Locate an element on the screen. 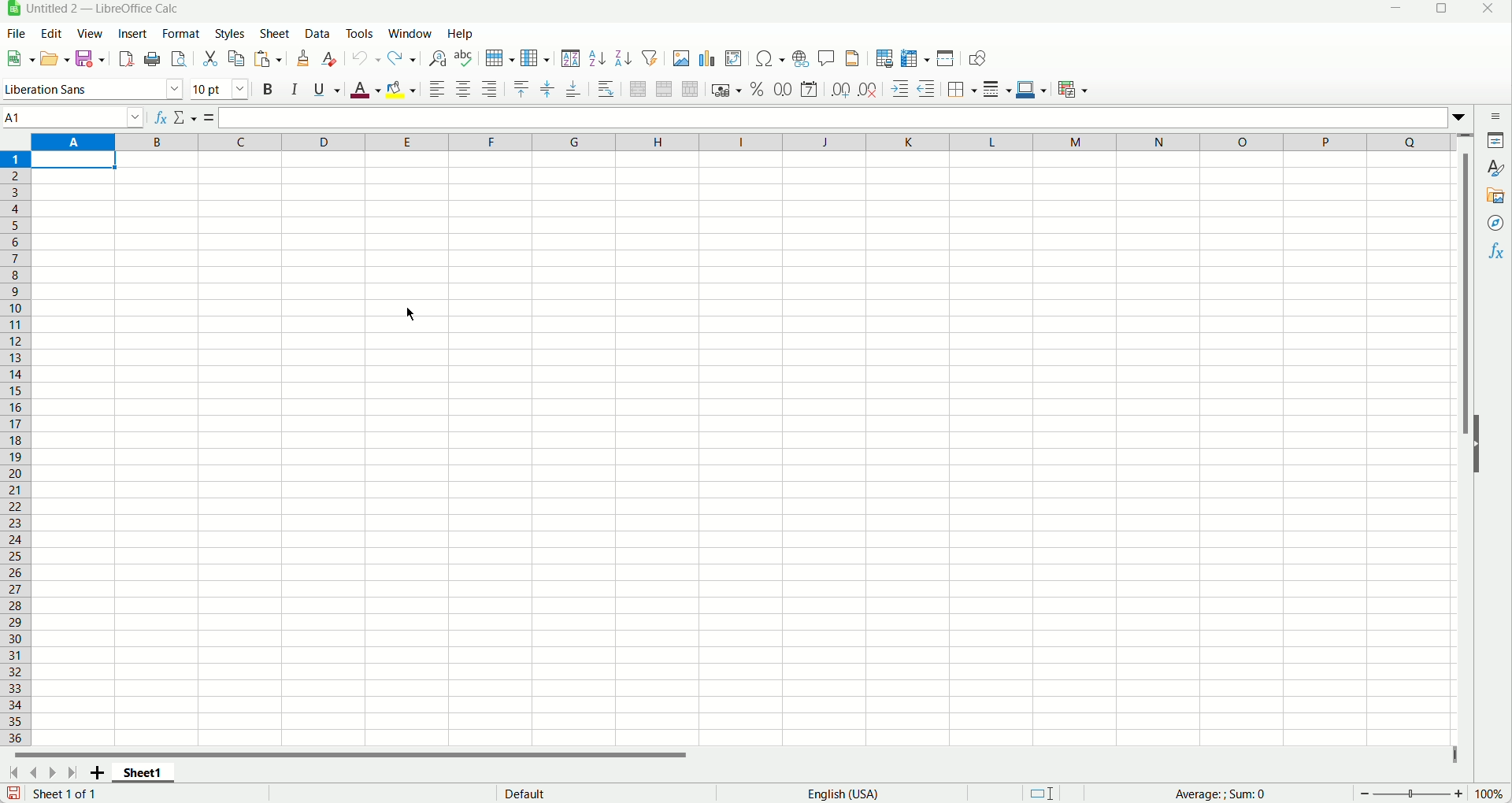  Styles is located at coordinates (1497, 168).